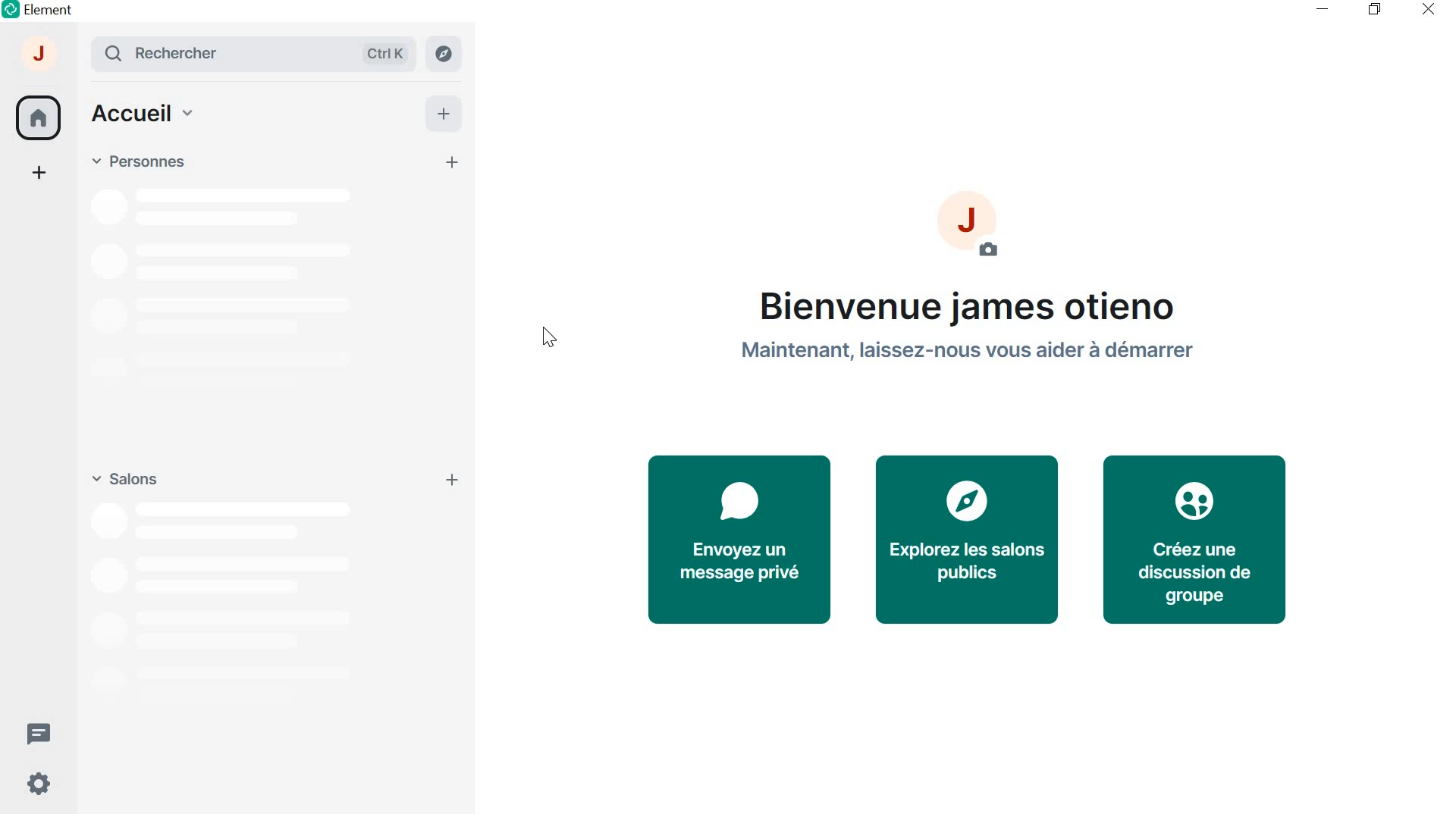  I want to click on ADD, so click(442, 112).